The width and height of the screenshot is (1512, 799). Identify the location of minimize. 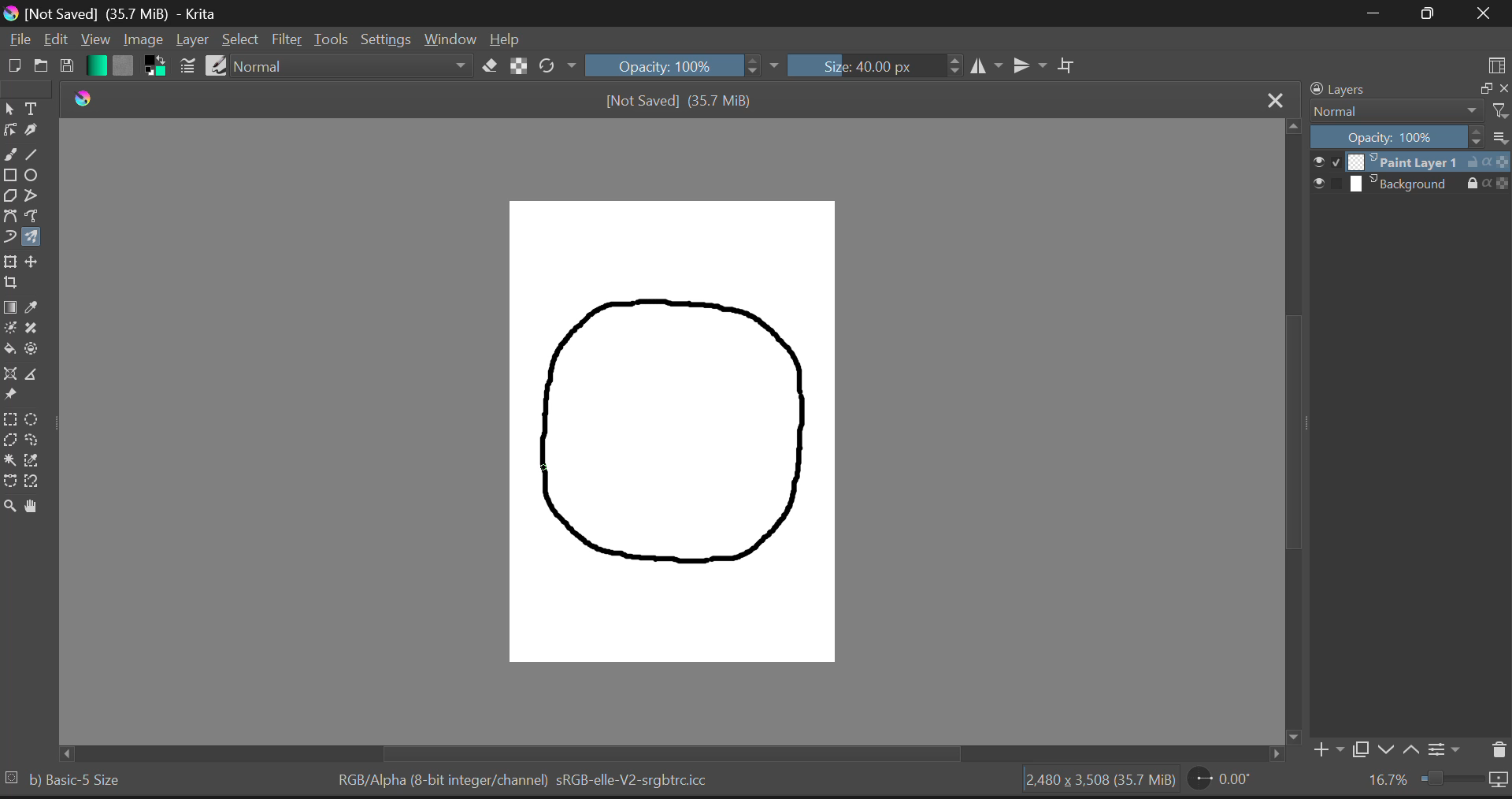
(1484, 87).